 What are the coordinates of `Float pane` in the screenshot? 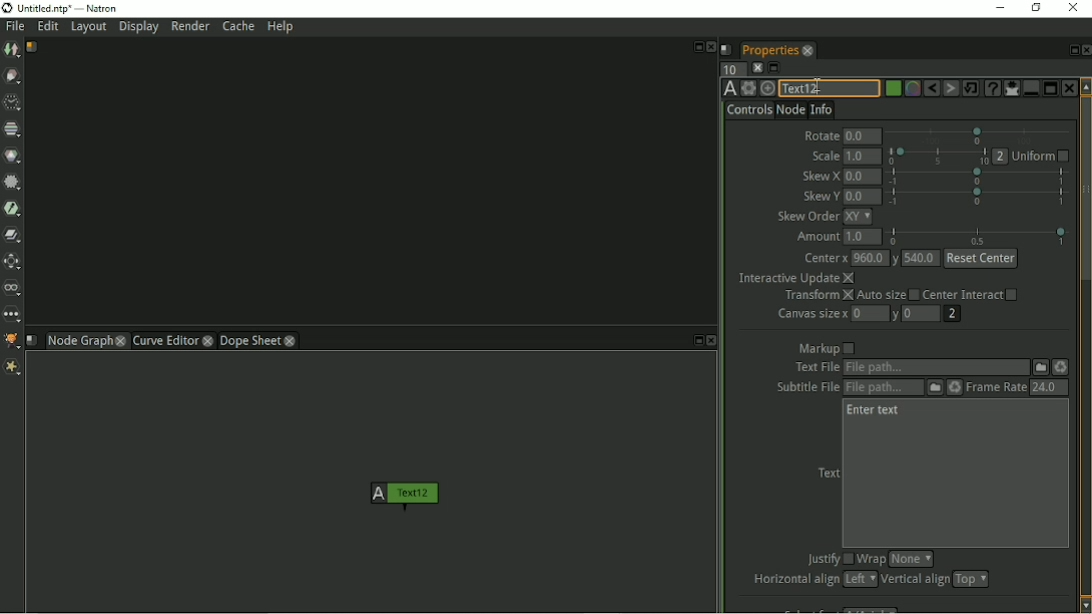 It's located at (695, 341).